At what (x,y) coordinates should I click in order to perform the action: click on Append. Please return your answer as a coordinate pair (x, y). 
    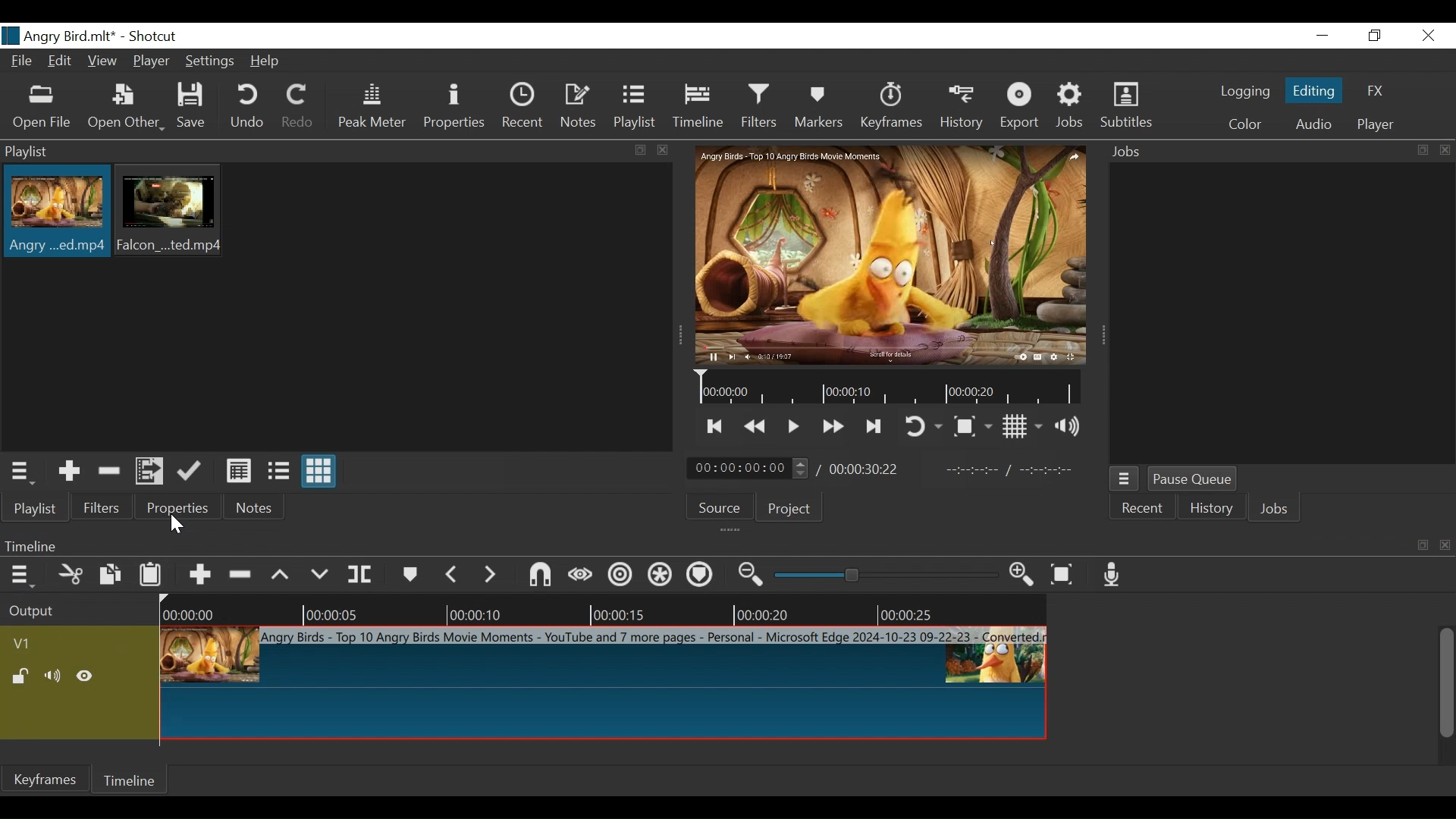
    Looking at the image, I should click on (202, 576).